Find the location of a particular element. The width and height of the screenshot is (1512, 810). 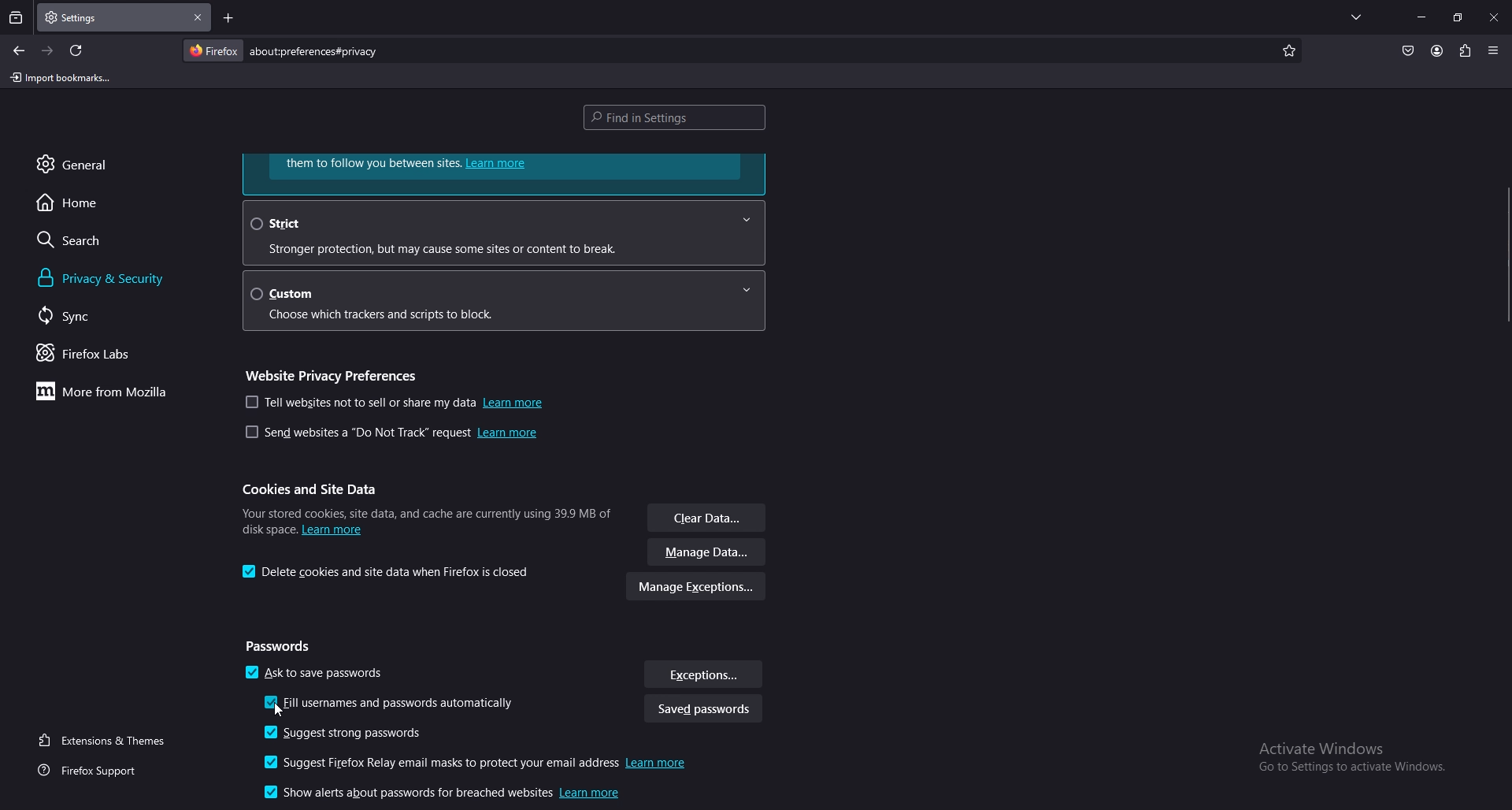

firefox labs is located at coordinates (100, 355).